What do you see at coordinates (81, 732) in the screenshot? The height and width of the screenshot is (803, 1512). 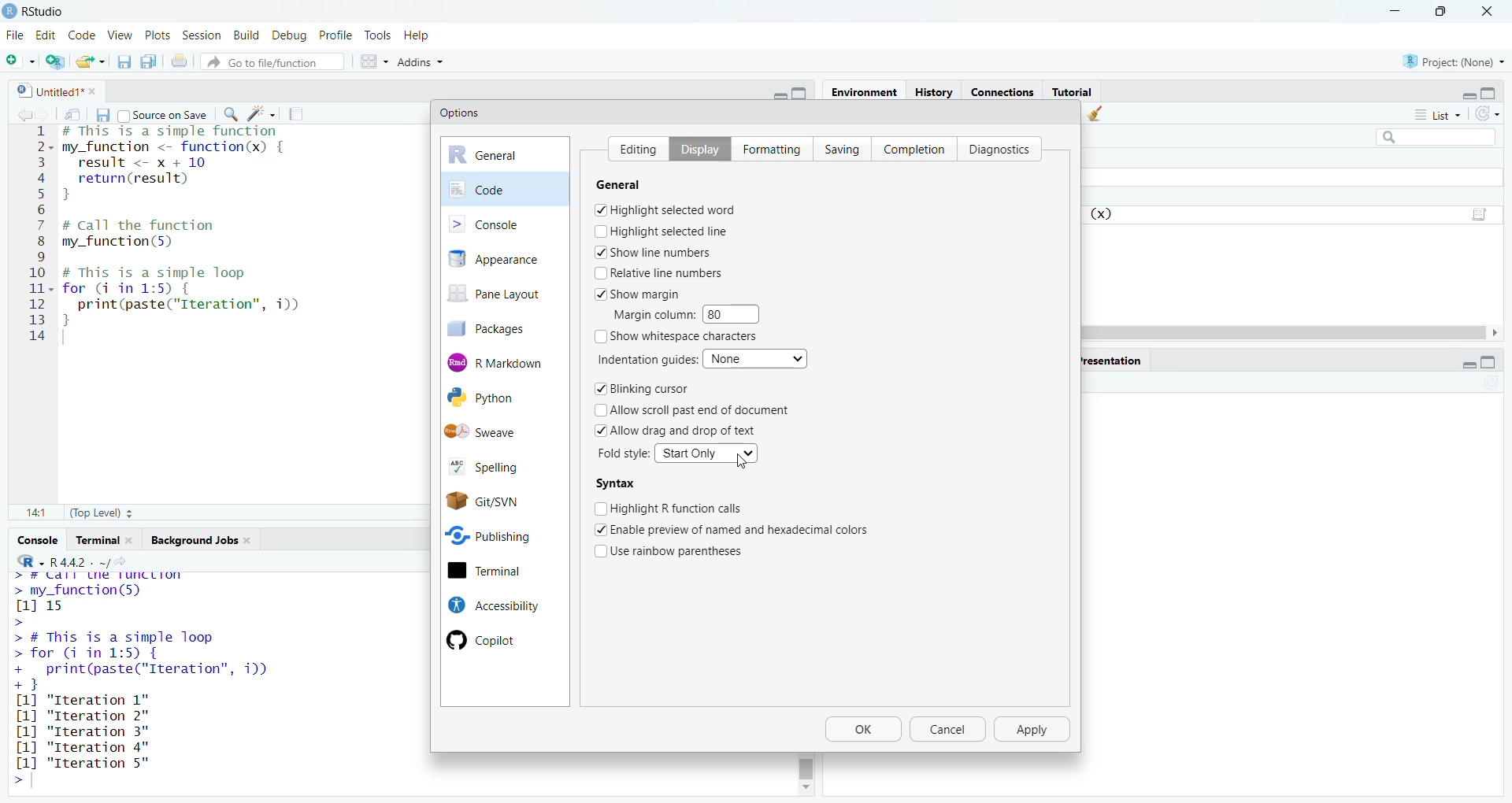 I see `[1] "Iteration 3"` at bounding box center [81, 732].